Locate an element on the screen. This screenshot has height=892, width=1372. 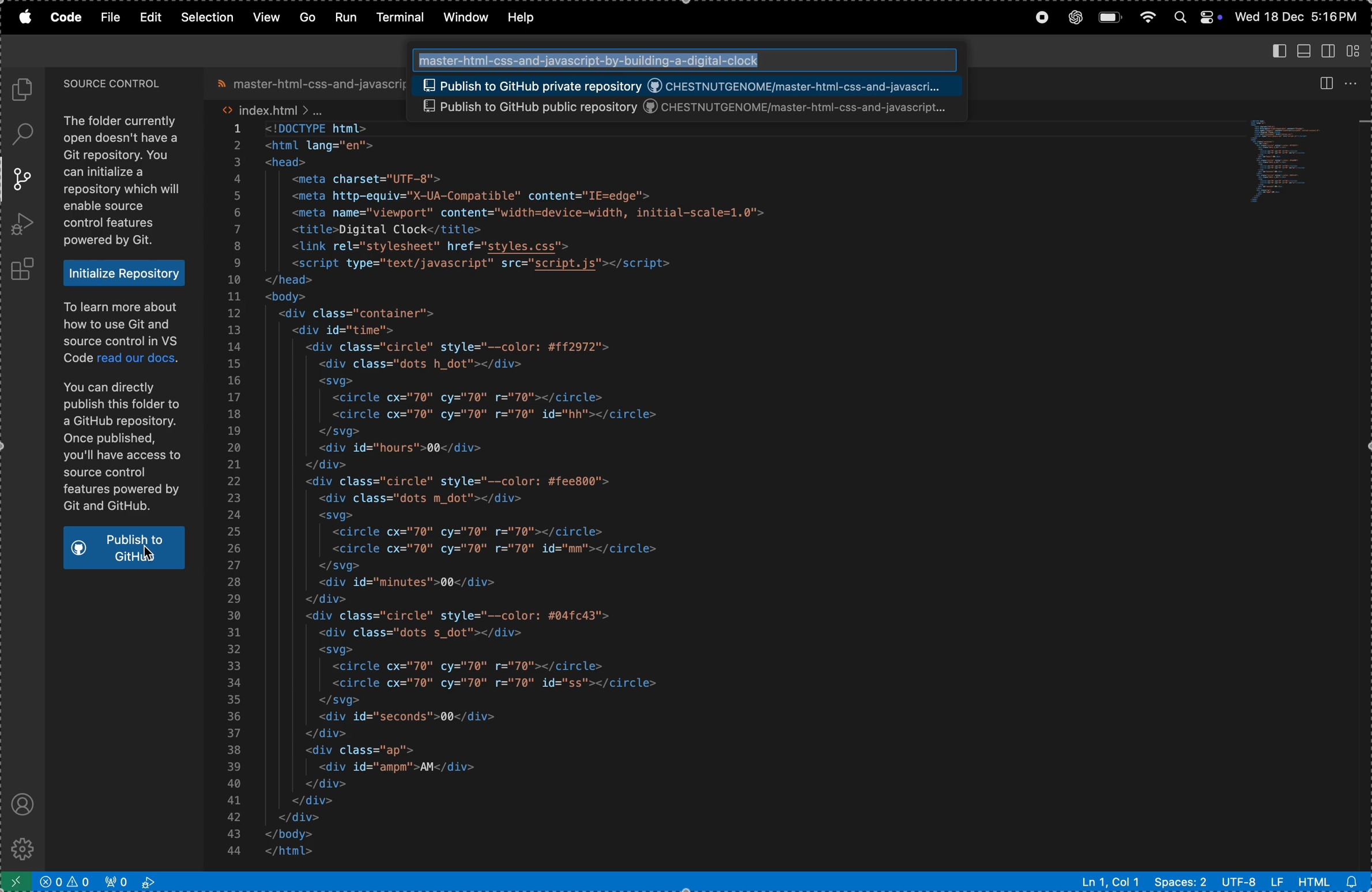
The folder currently
open doesn't have a
Git repository. You
can initialize a
repository which will
enable source
control features
powered by Git. is located at coordinates (126, 181).